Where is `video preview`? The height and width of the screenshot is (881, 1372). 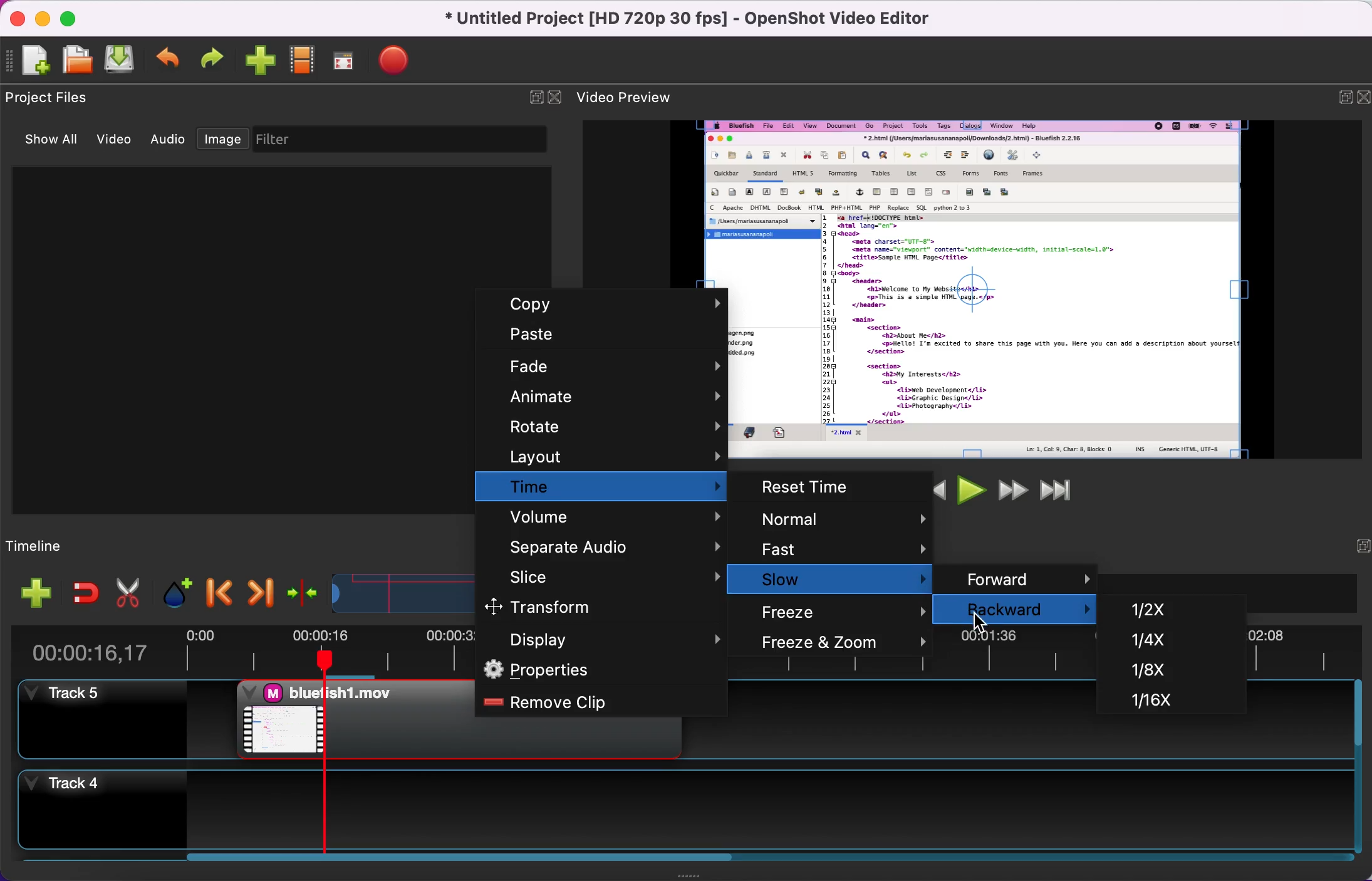
video preview is located at coordinates (1042, 289).